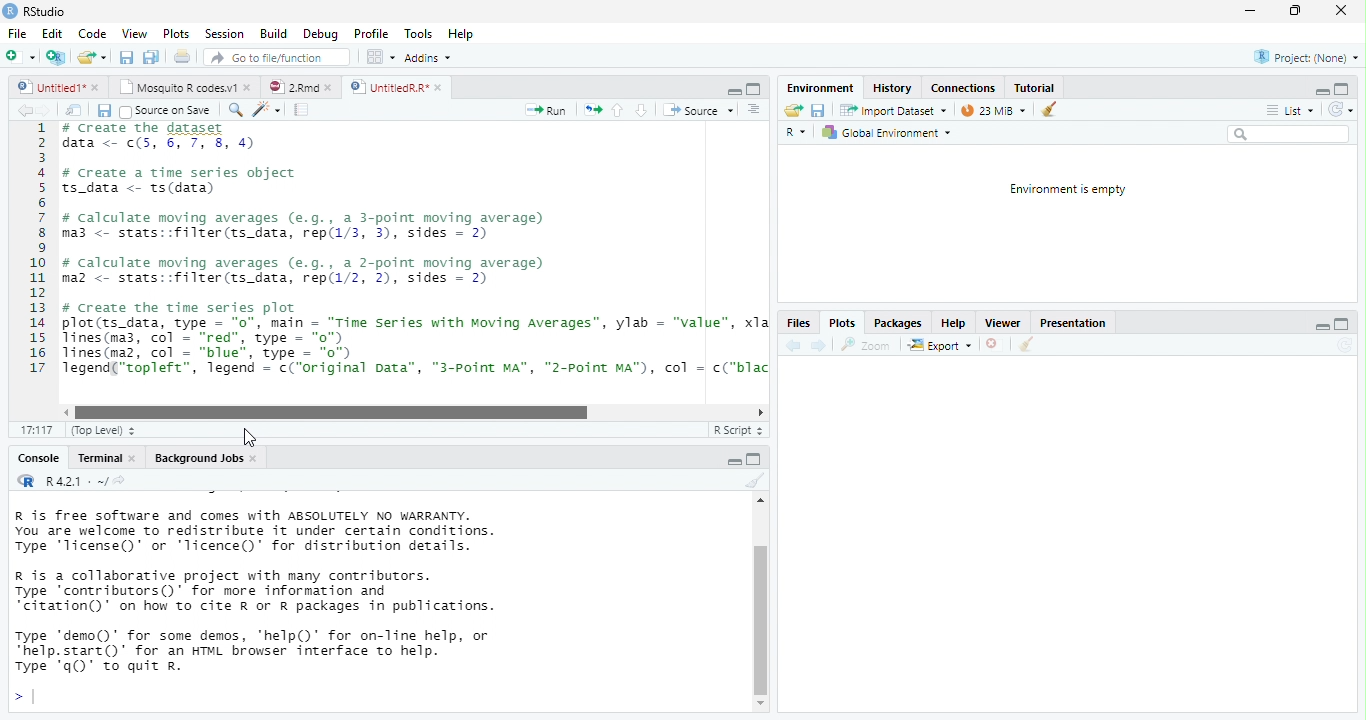  What do you see at coordinates (798, 134) in the screenshot?
I see `R` at bounding box center [798, 134].